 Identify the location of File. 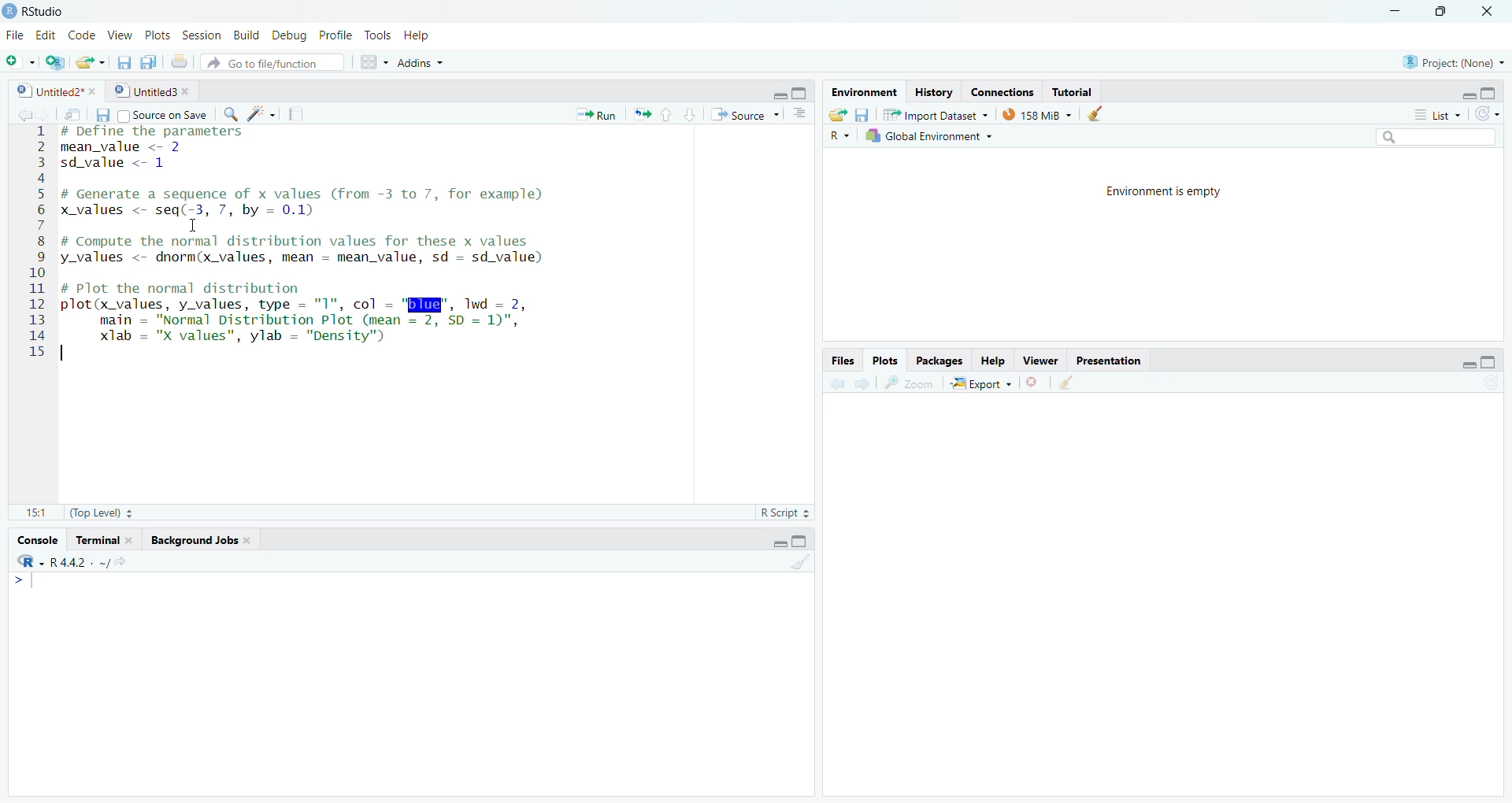
(13, 35).